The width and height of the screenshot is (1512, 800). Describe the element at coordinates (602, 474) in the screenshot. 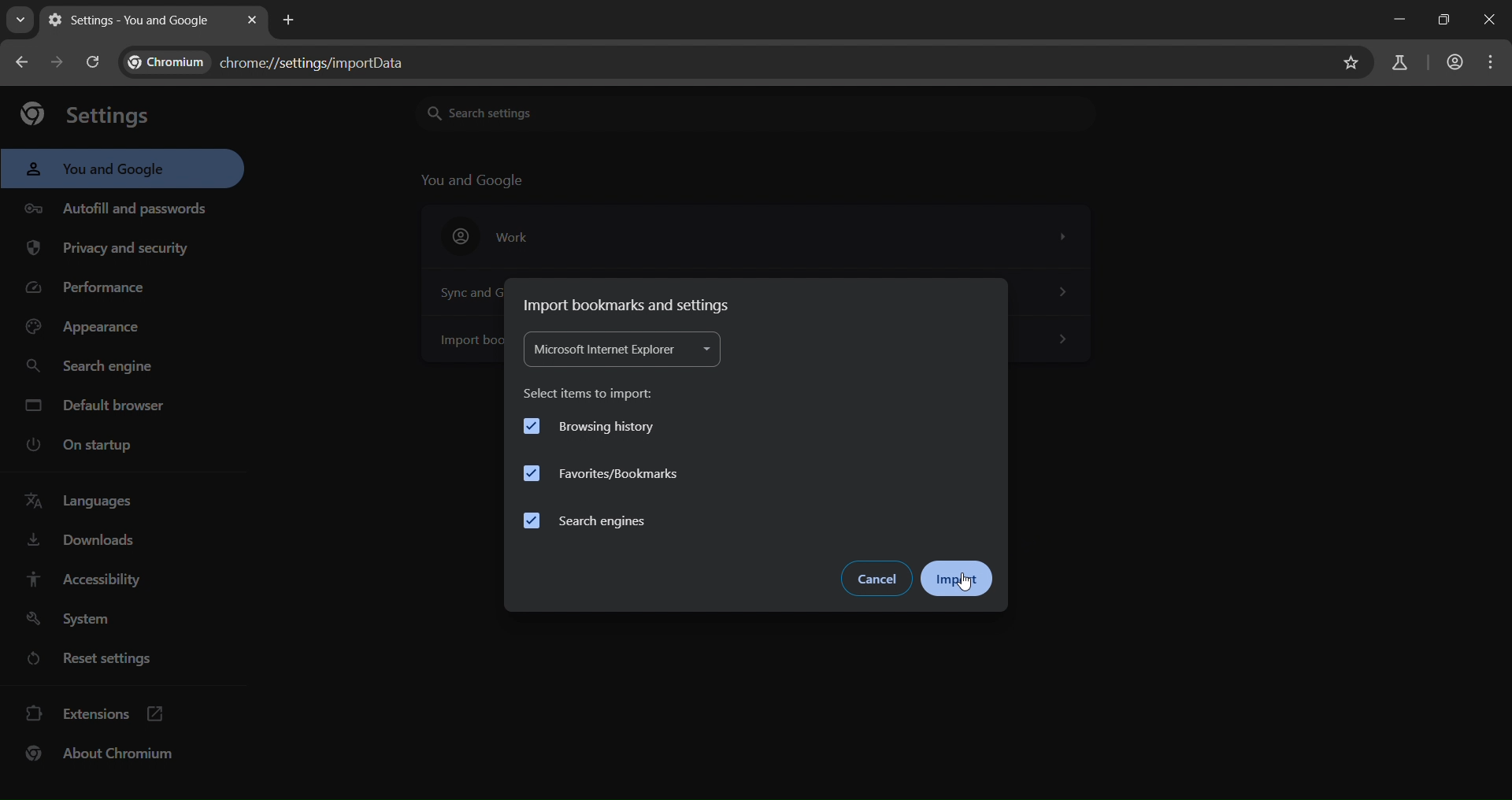

I see `favourites` at that location.